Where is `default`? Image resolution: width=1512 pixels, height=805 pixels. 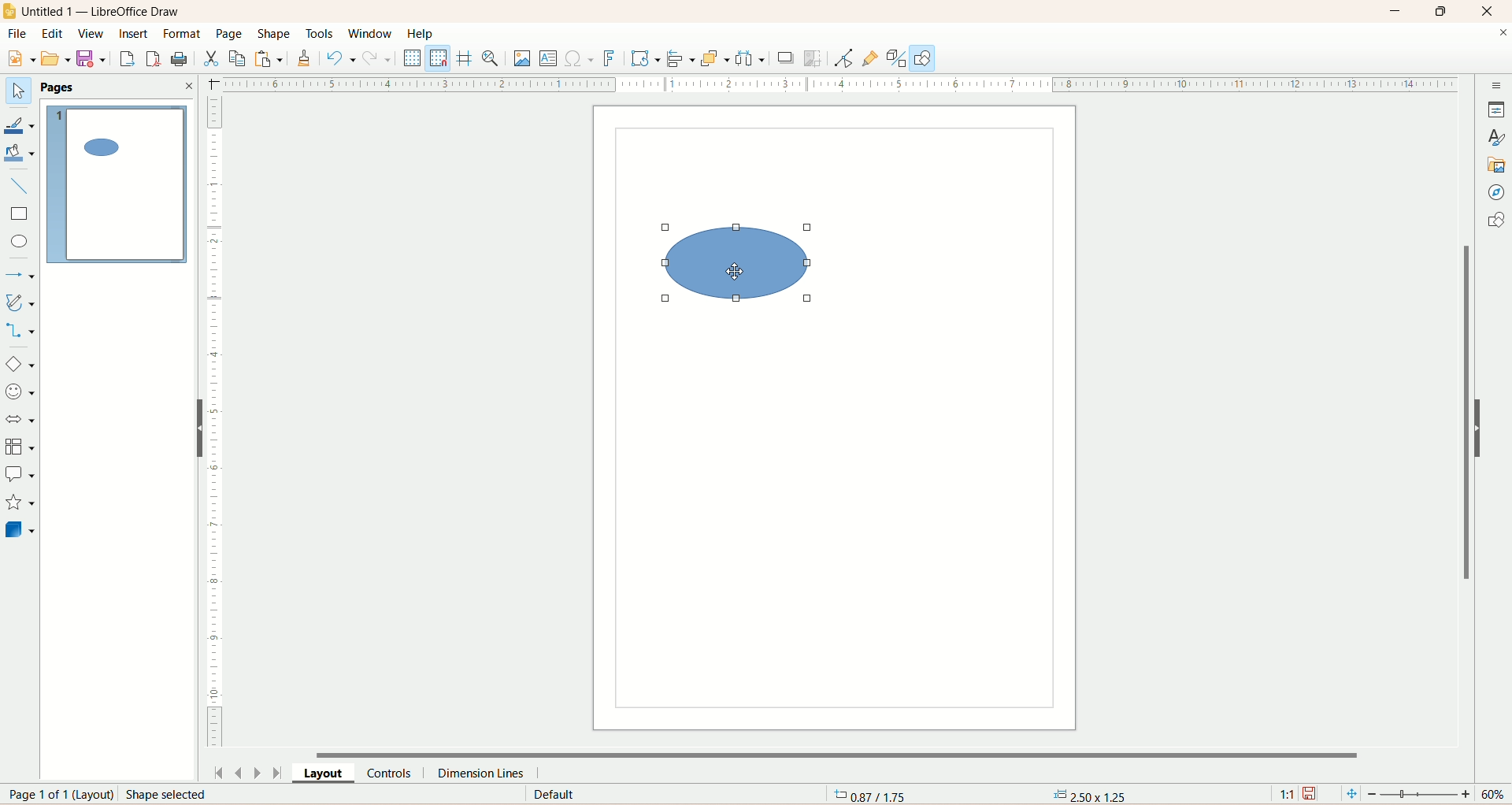 default is located at coordinates (551, 796).